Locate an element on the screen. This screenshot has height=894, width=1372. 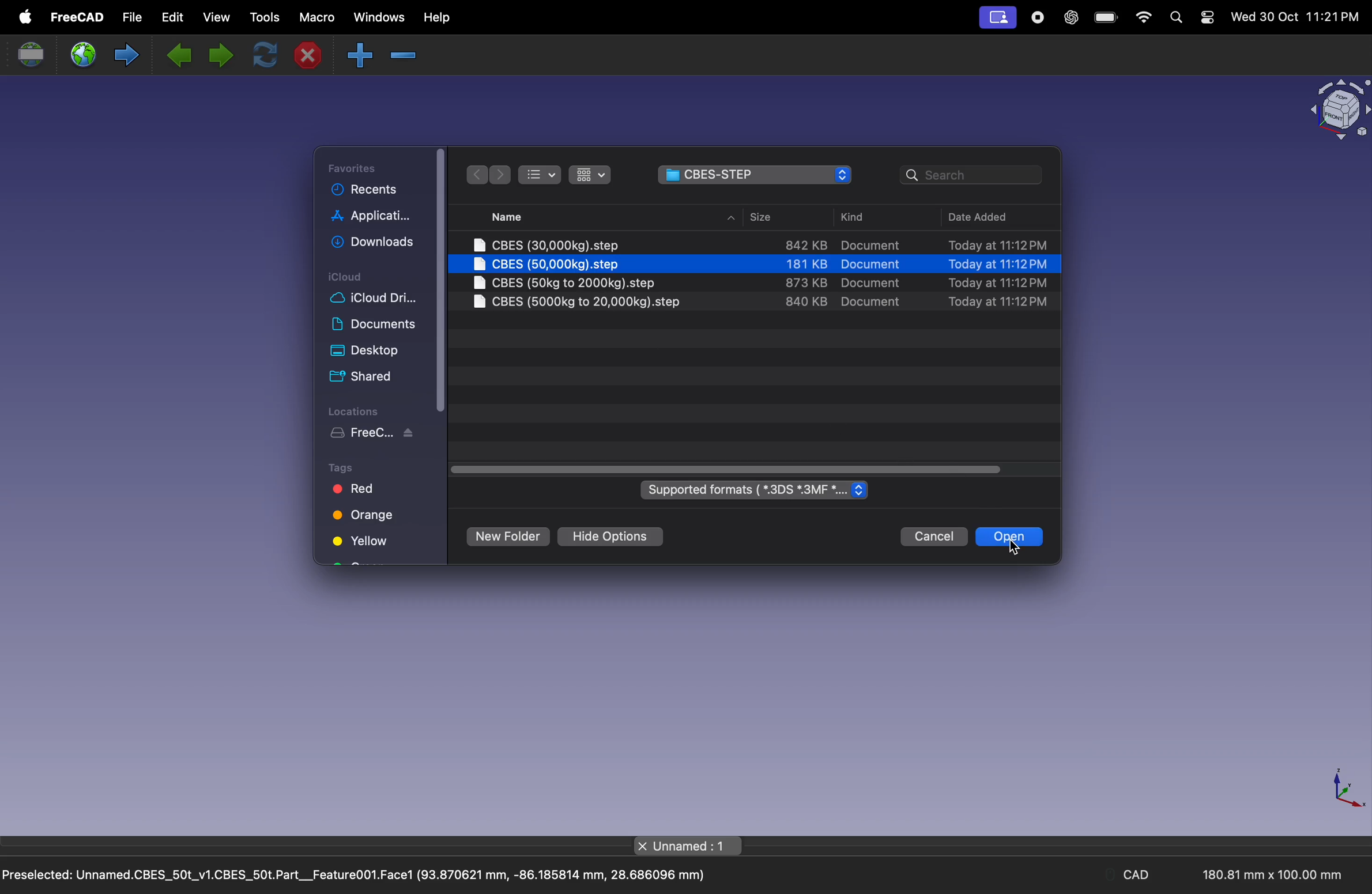
cloud drive is located at coordinates (376, 300).